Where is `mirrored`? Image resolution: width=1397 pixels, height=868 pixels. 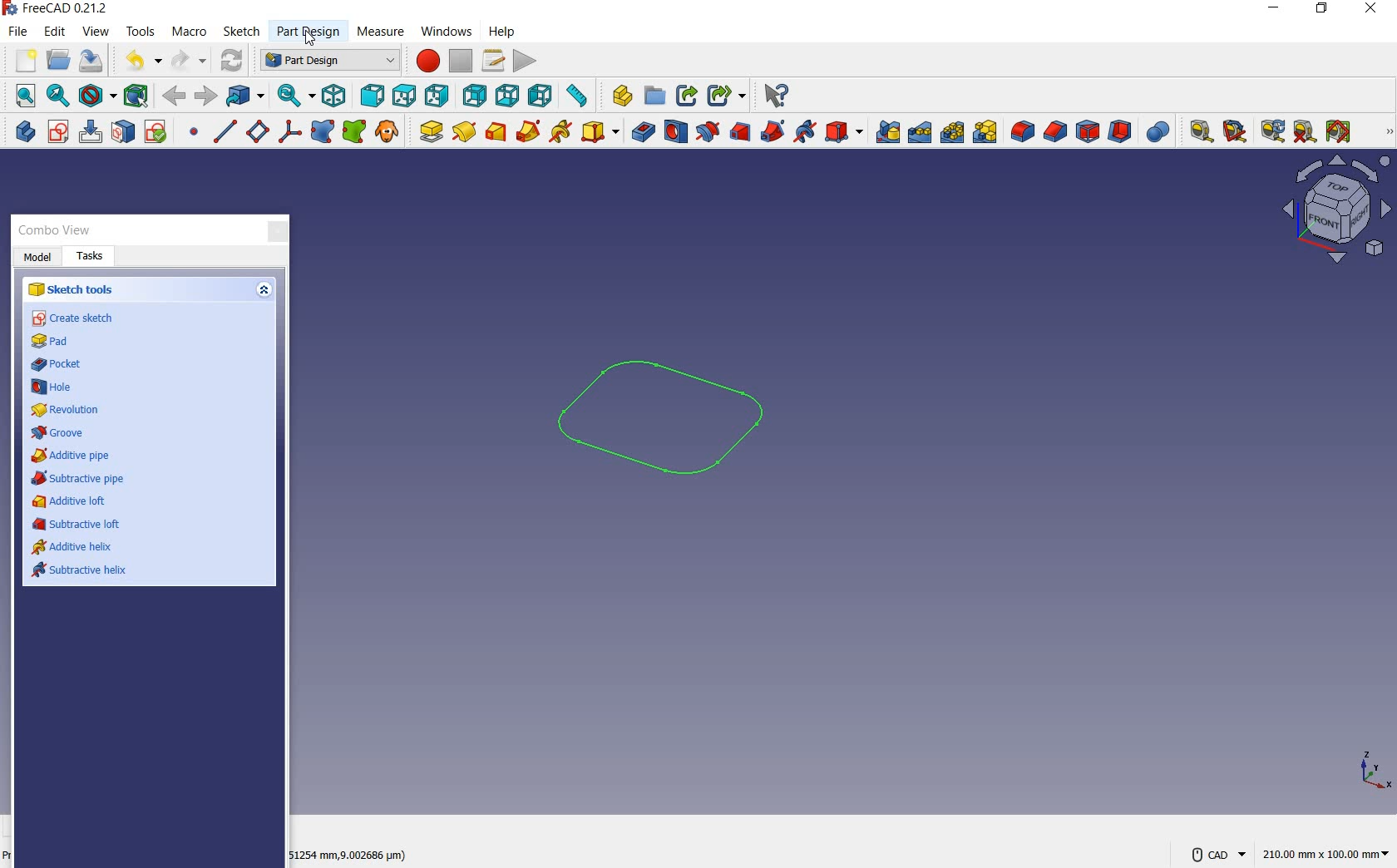
mirrored is located at coordinates (887, 134).